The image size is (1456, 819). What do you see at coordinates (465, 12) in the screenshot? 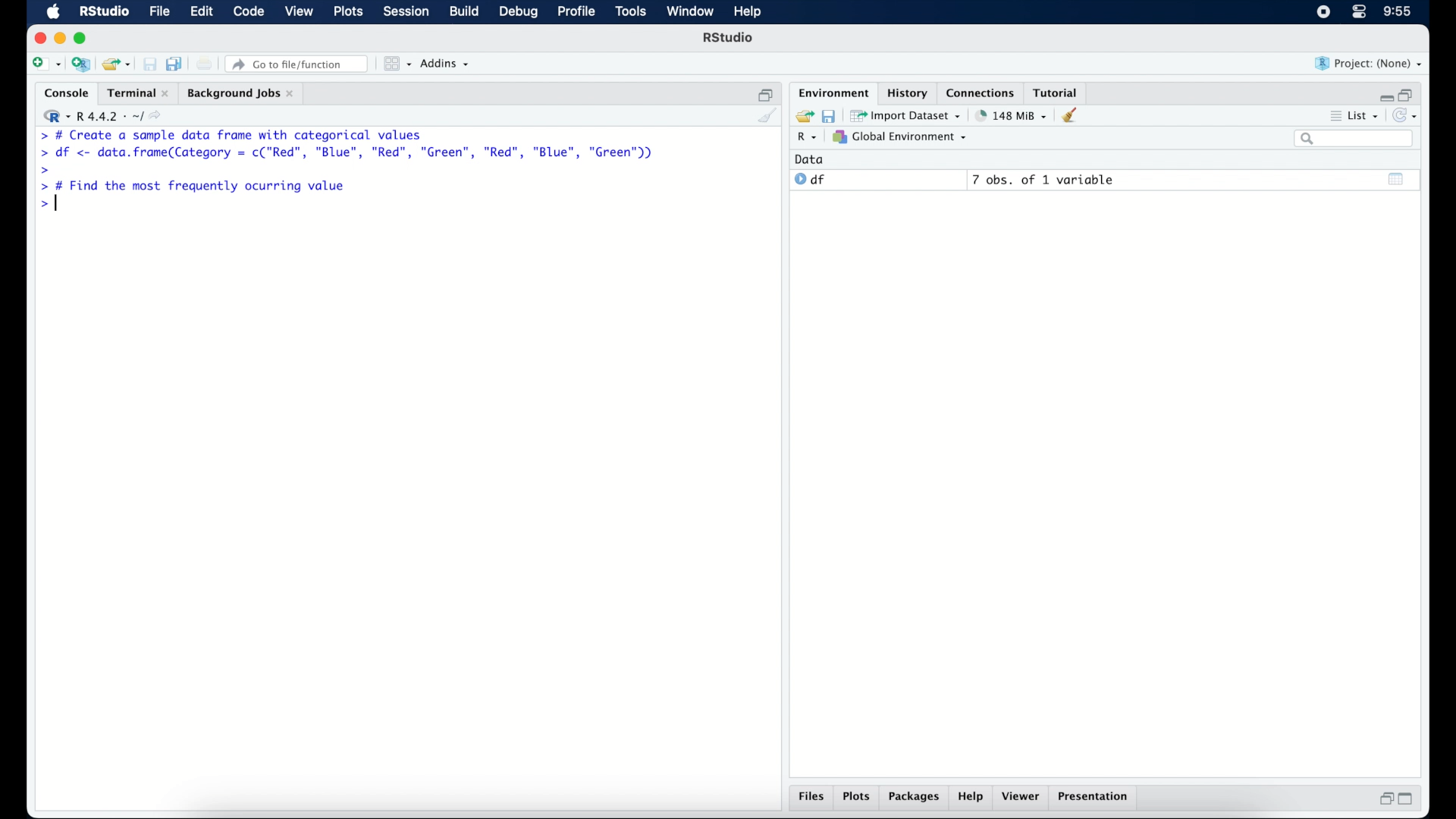
I see `build` at bounding box center [465, 12].